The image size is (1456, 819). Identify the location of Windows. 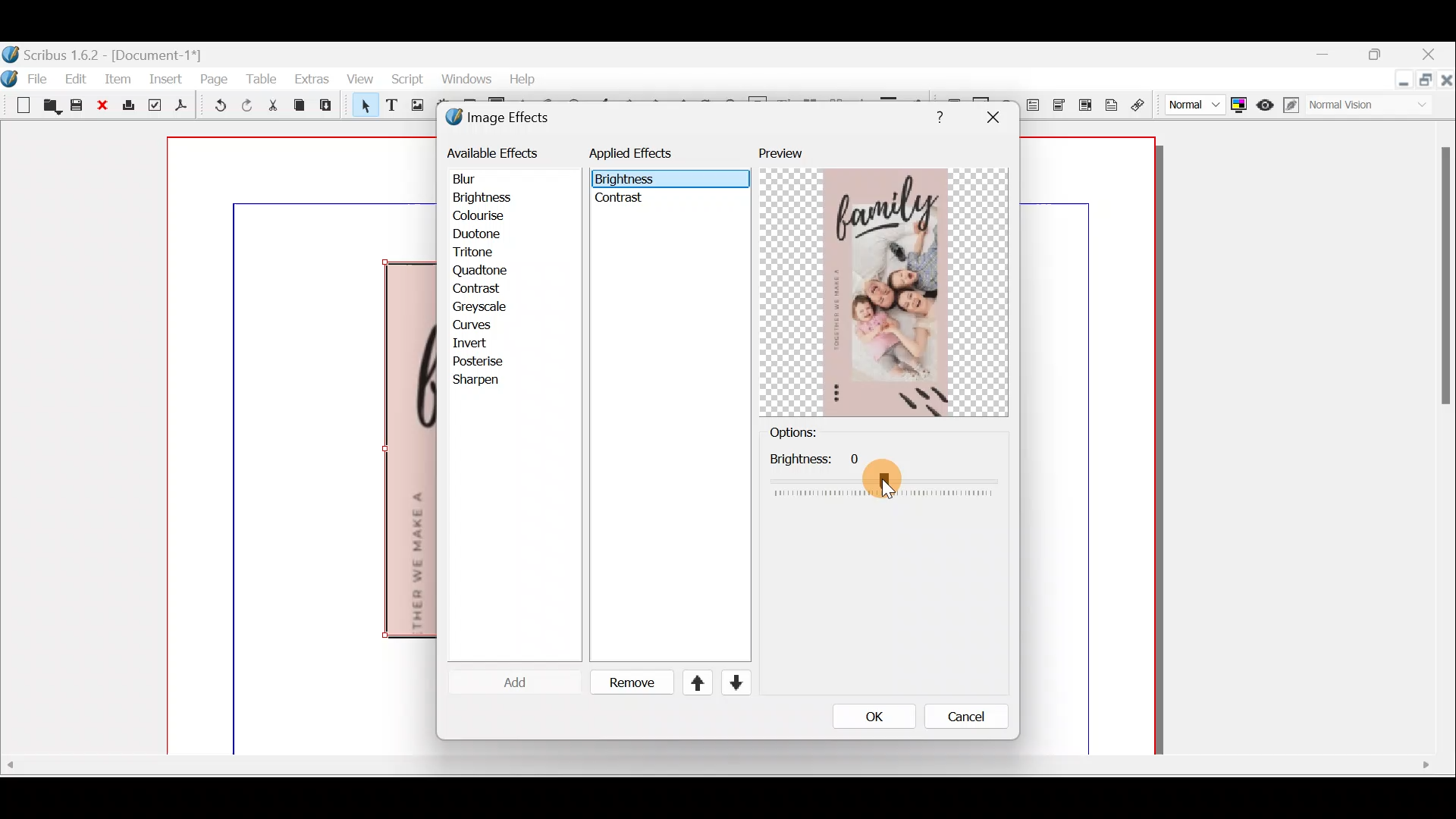
(462, 79).